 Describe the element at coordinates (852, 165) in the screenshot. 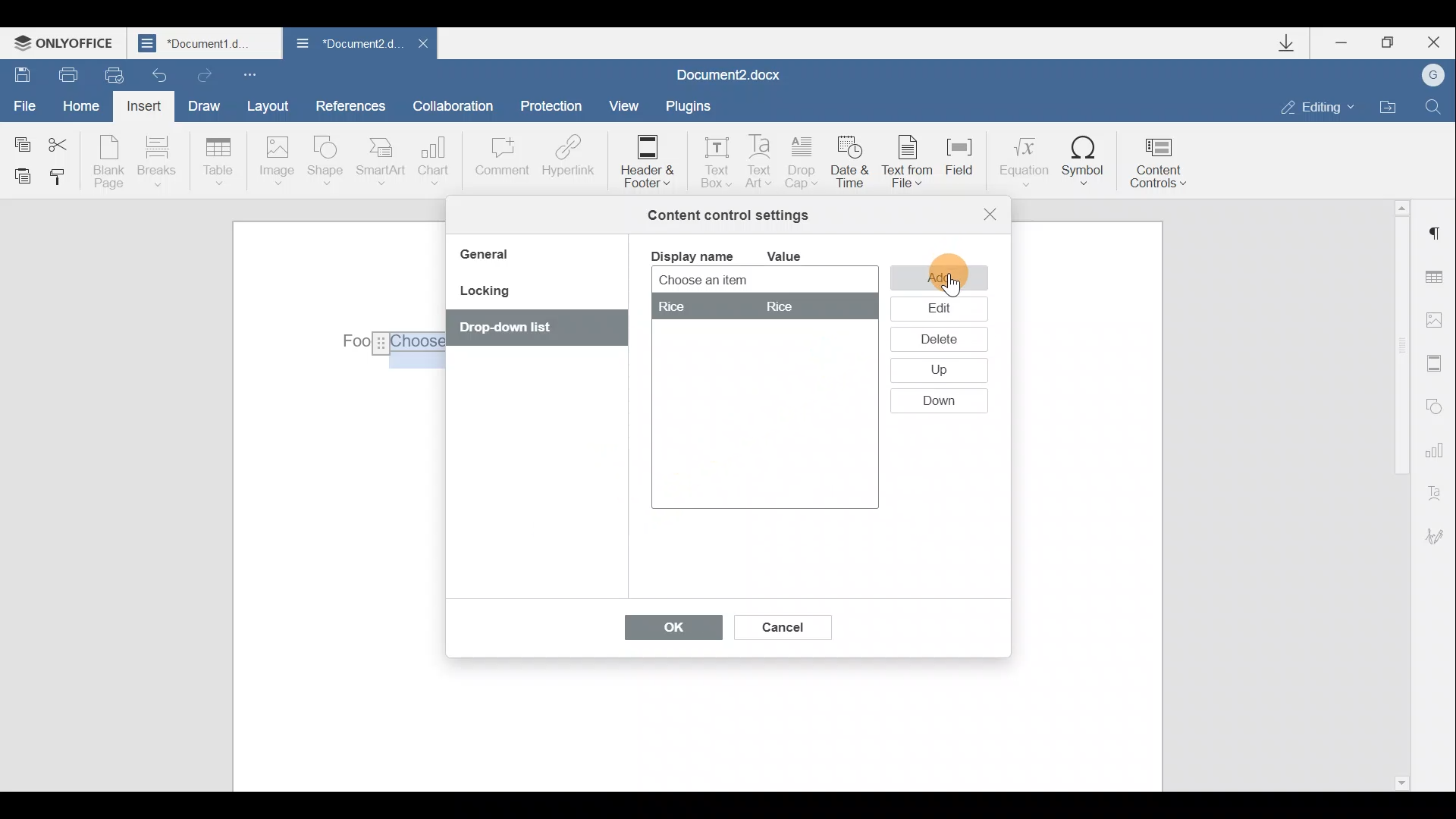

I see `Date & time` at that location.